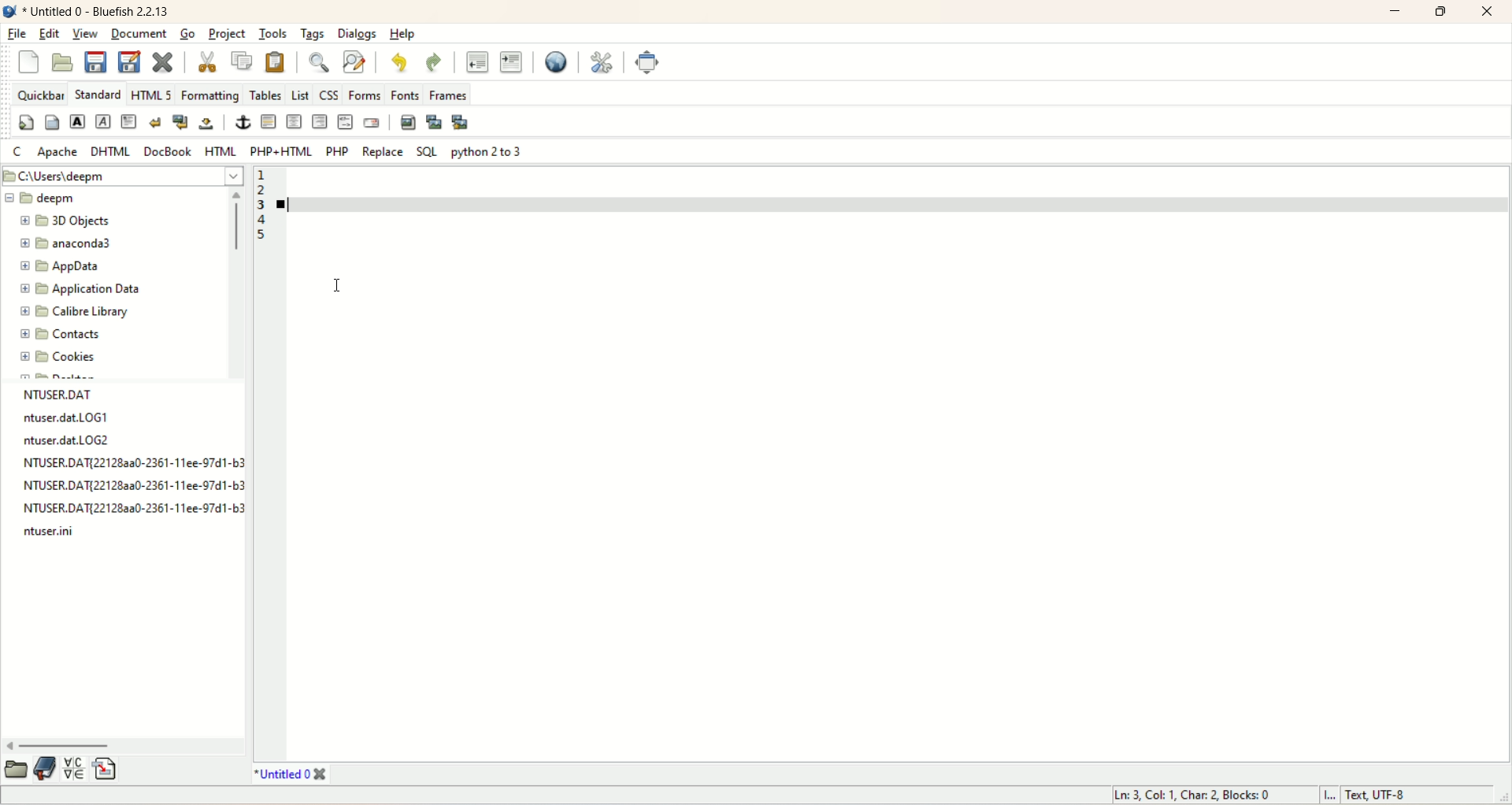 This screenshot has width=1512, height=805. What do you see at coordinates (243, 61) in the screenshot?
I see `copy` at bounding box center [243, 61].